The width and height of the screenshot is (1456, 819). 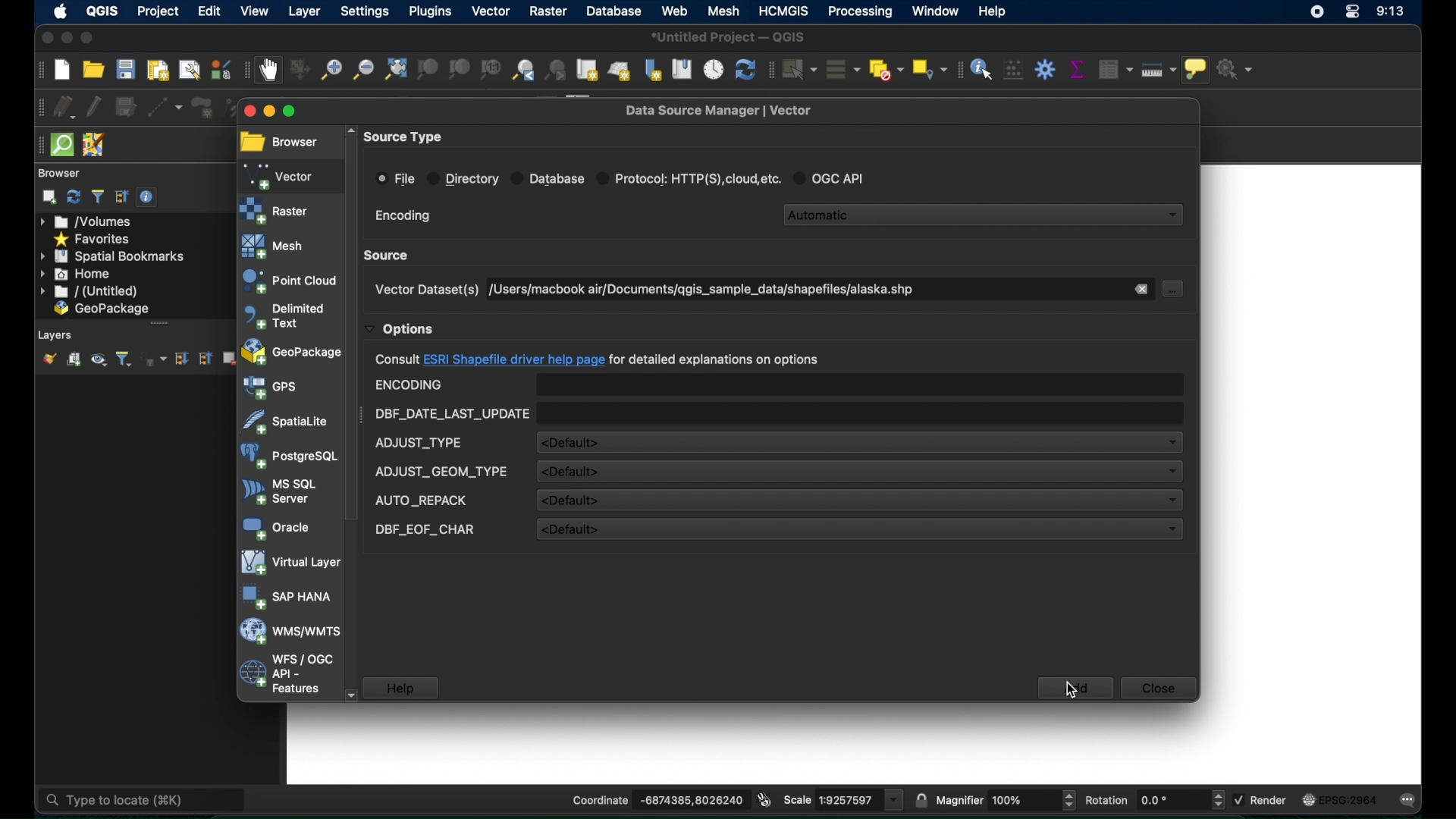 What do you see at coordinates (886, 67) in the screenshot?
I see `deselect features` at bounding box center [886, 67].